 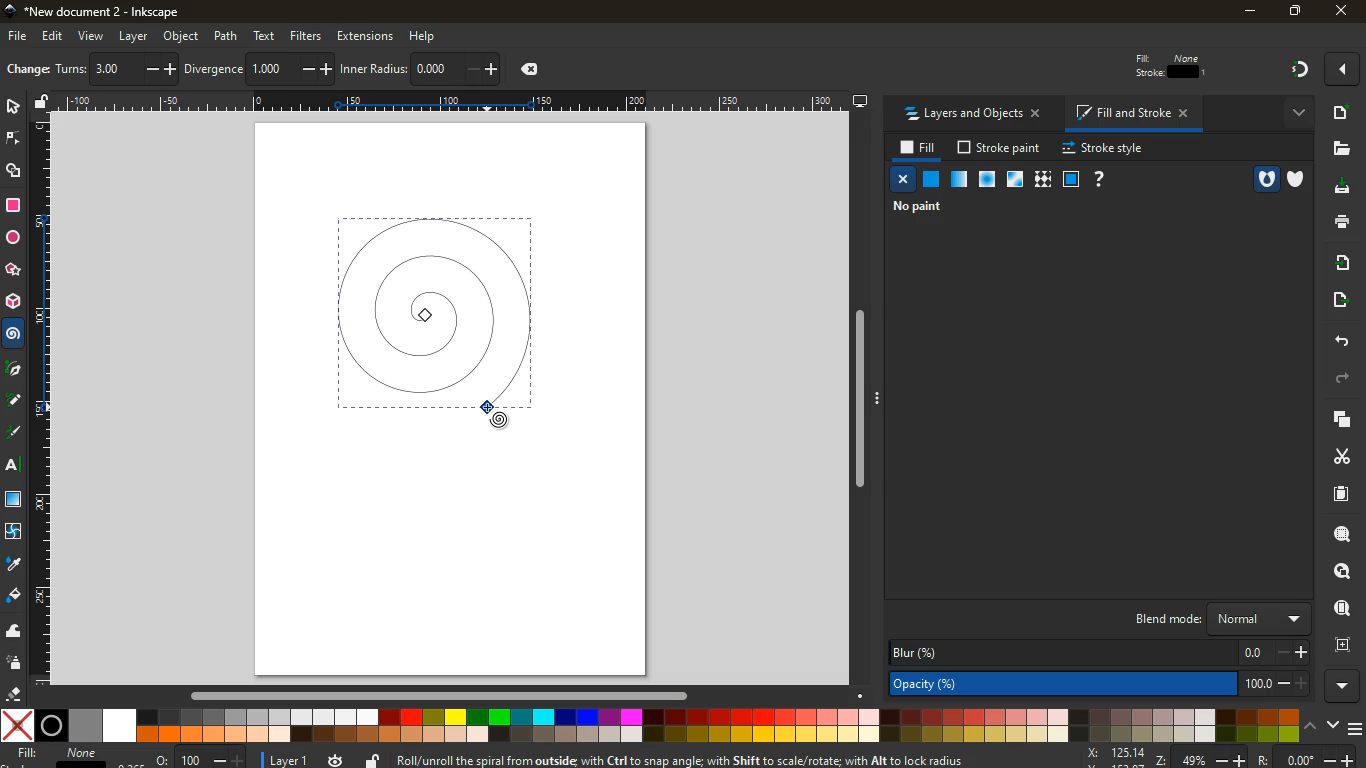 What do you see at coordinates (194, 758) in the screenshot?
I see `o` at bounding box center [194, 758].